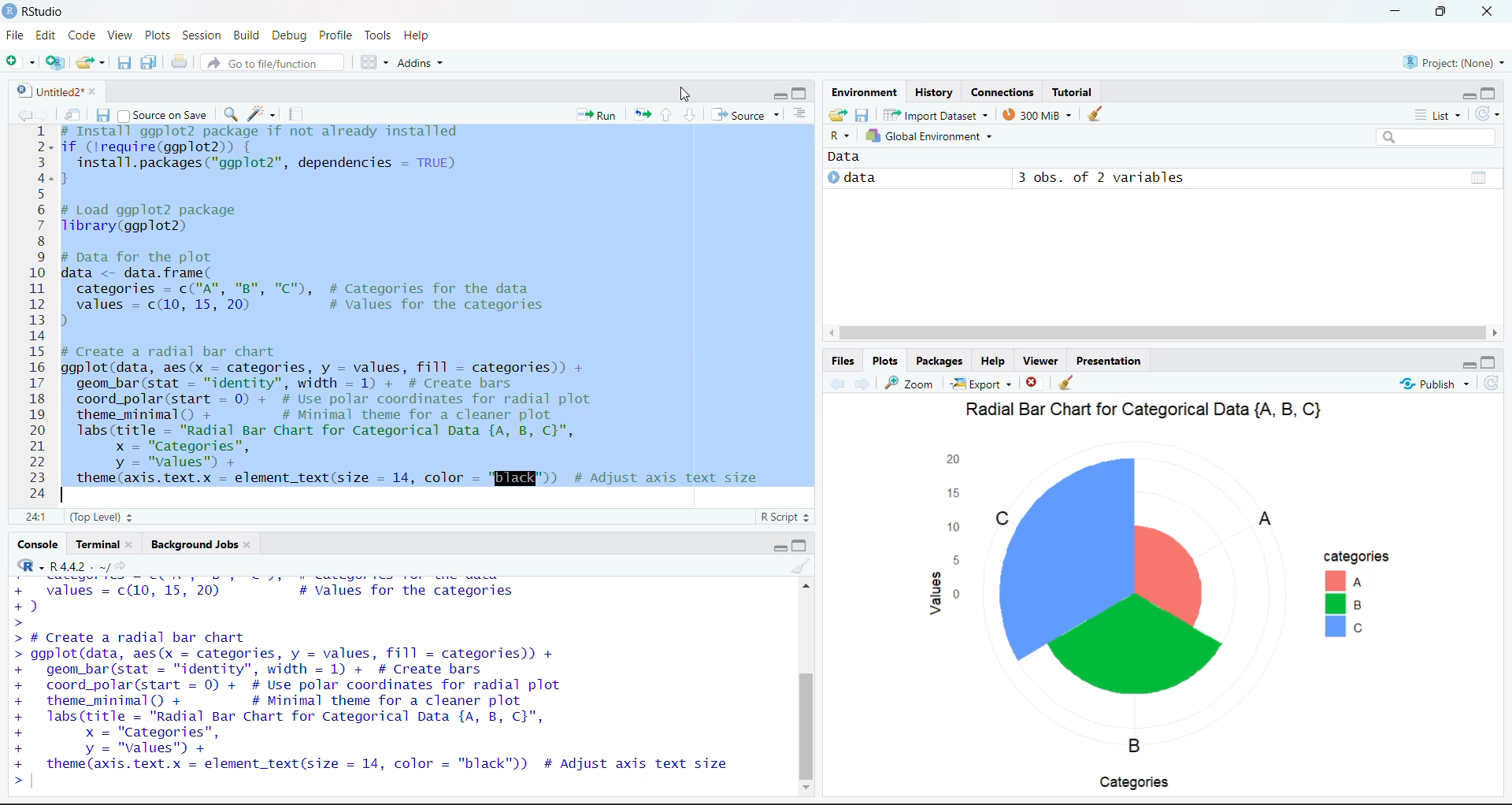  What do you see at coordinates (1433, 384) in the screenshot?
I see `Publish ` at bounding box center [1433, 384].